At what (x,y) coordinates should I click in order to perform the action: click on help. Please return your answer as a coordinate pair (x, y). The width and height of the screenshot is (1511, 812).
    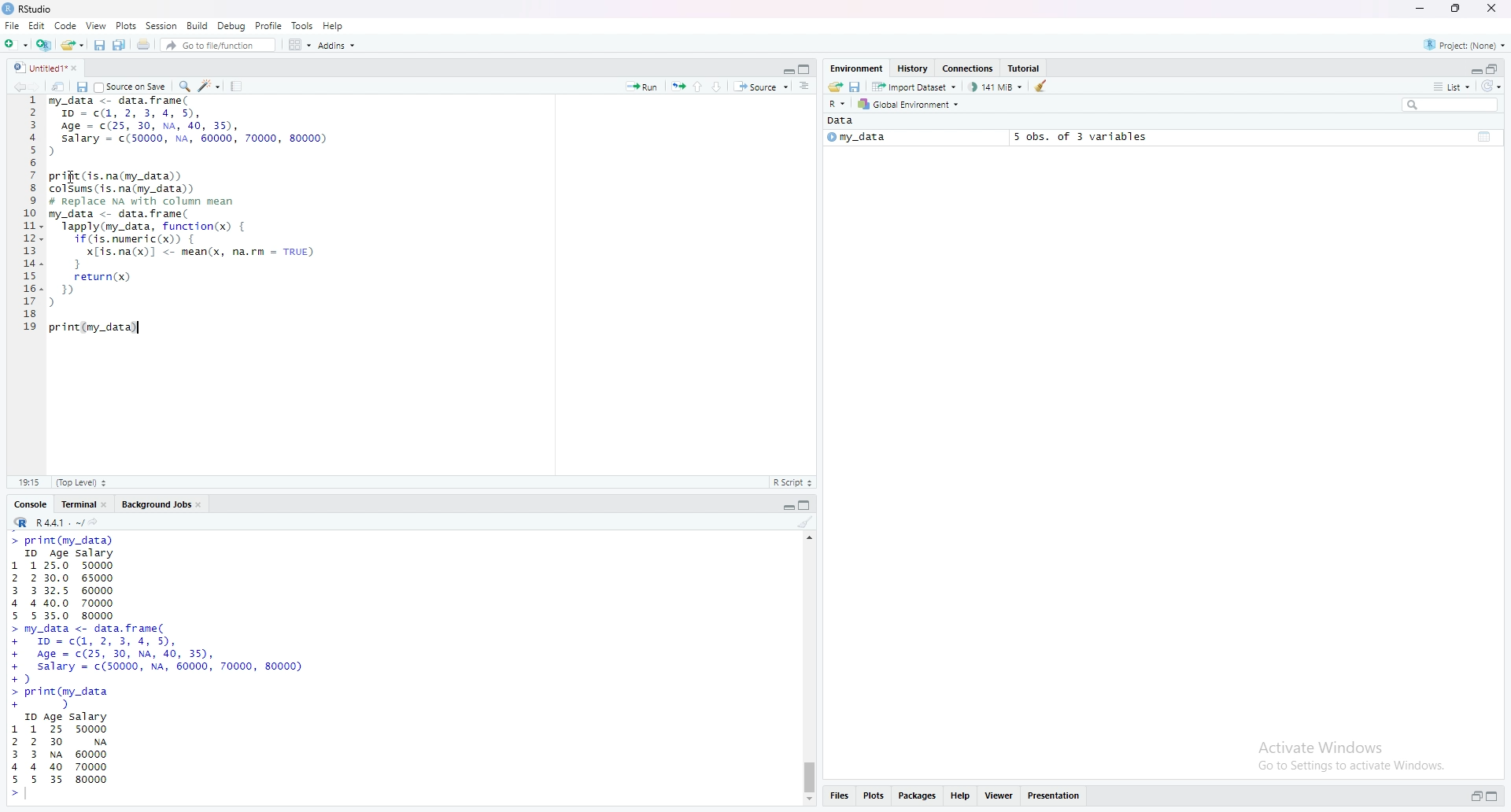
    Looking at the image, I should click on (961, 795).